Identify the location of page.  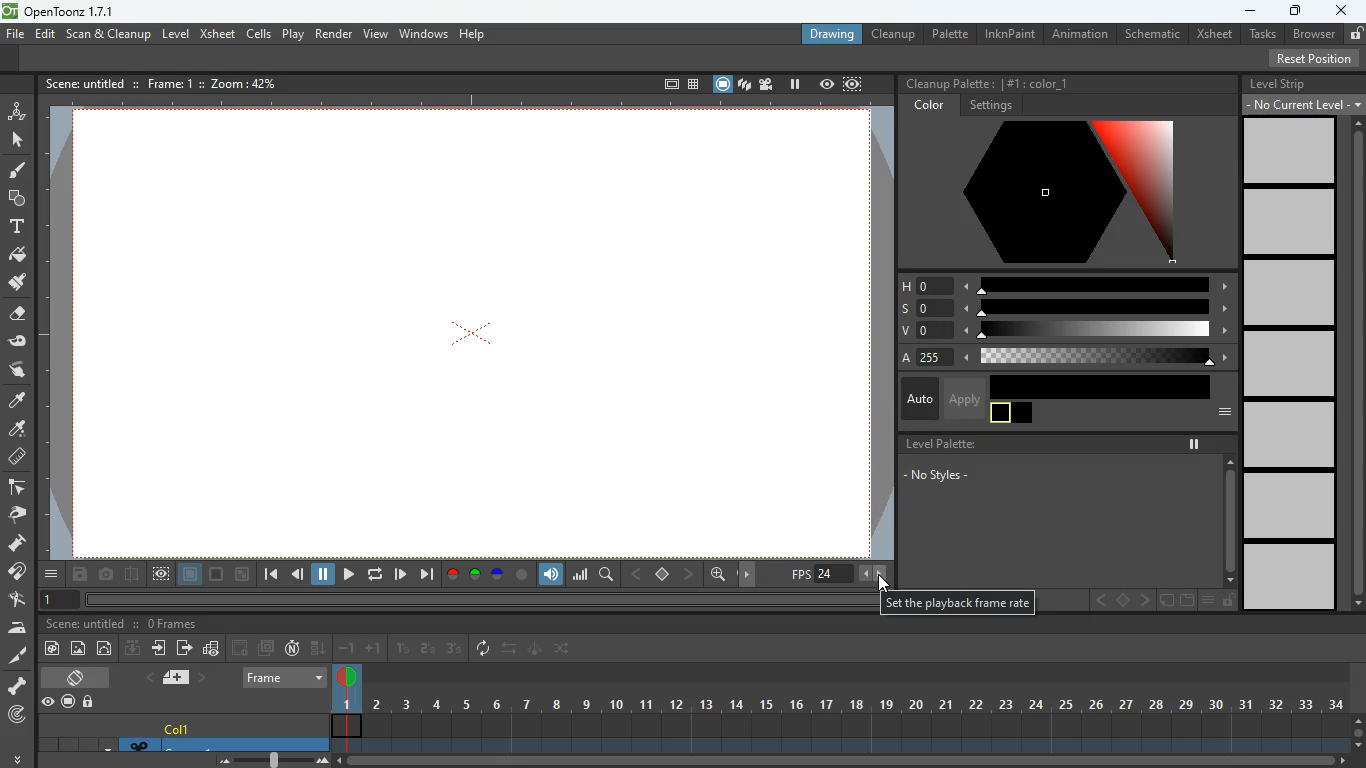
(178, 679).